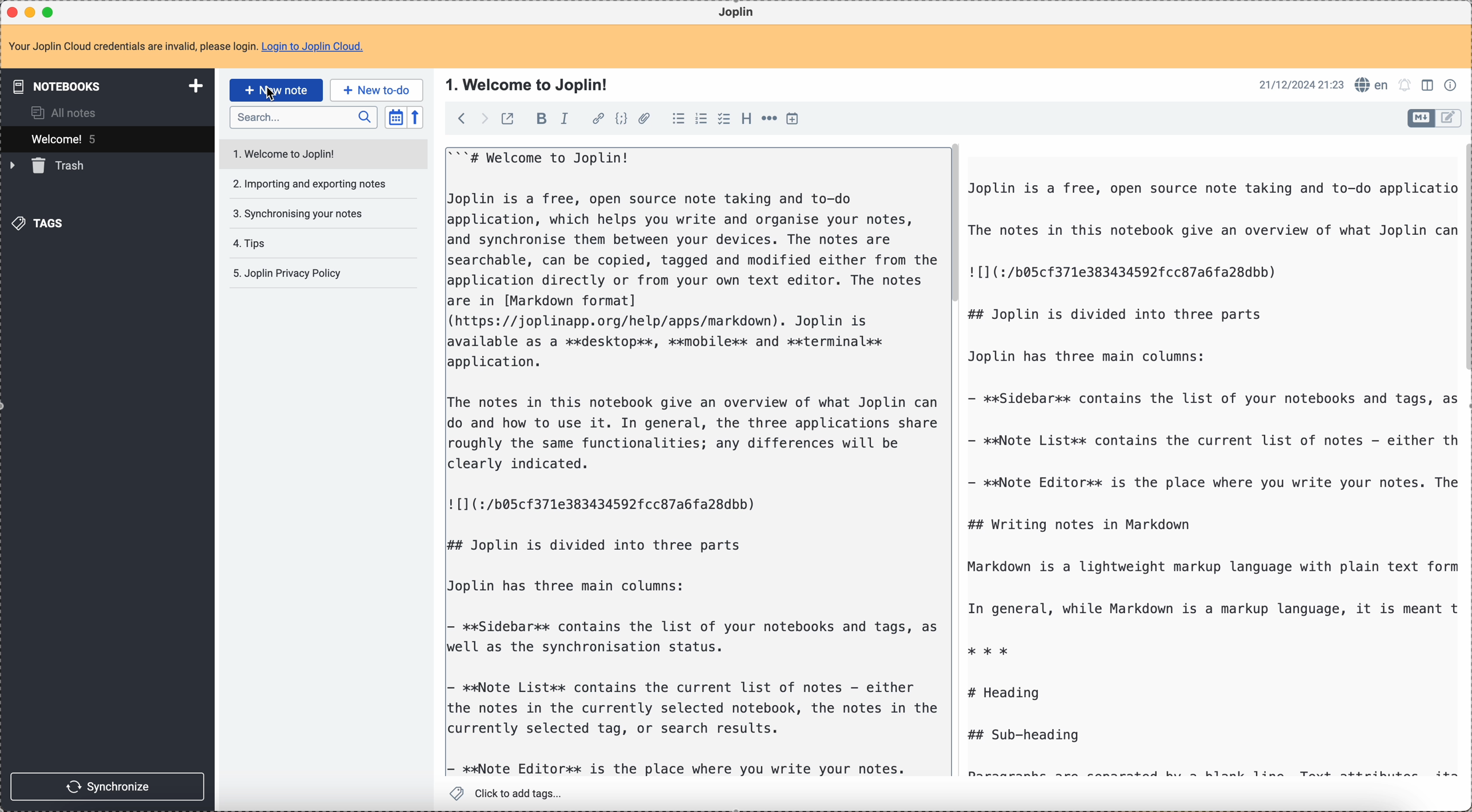 The width and height of the screenshot is (1472, 812). I want to click on bulleted list, so click(678, 120).